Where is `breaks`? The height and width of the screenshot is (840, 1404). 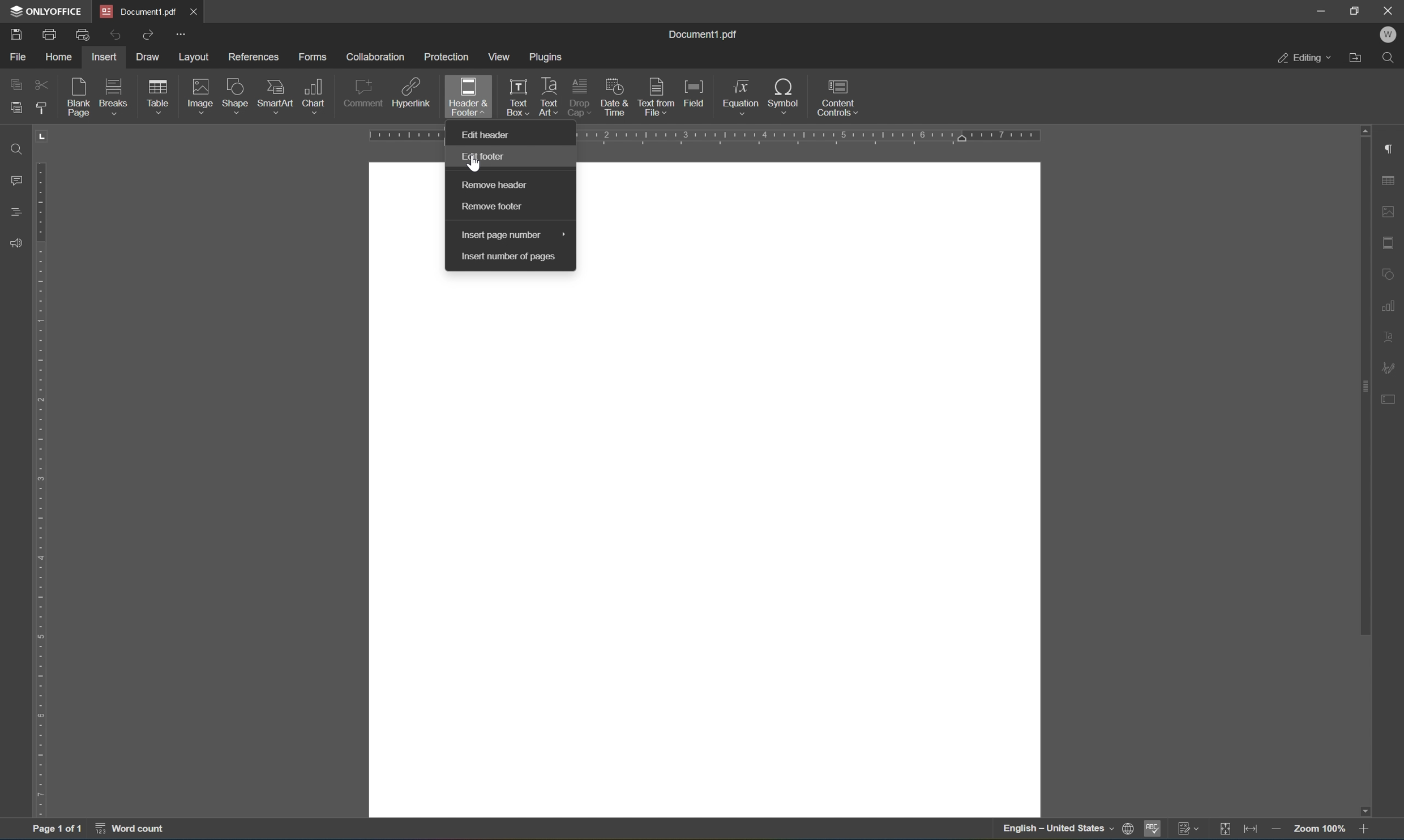 breaks is located at coordinates (115, 97).